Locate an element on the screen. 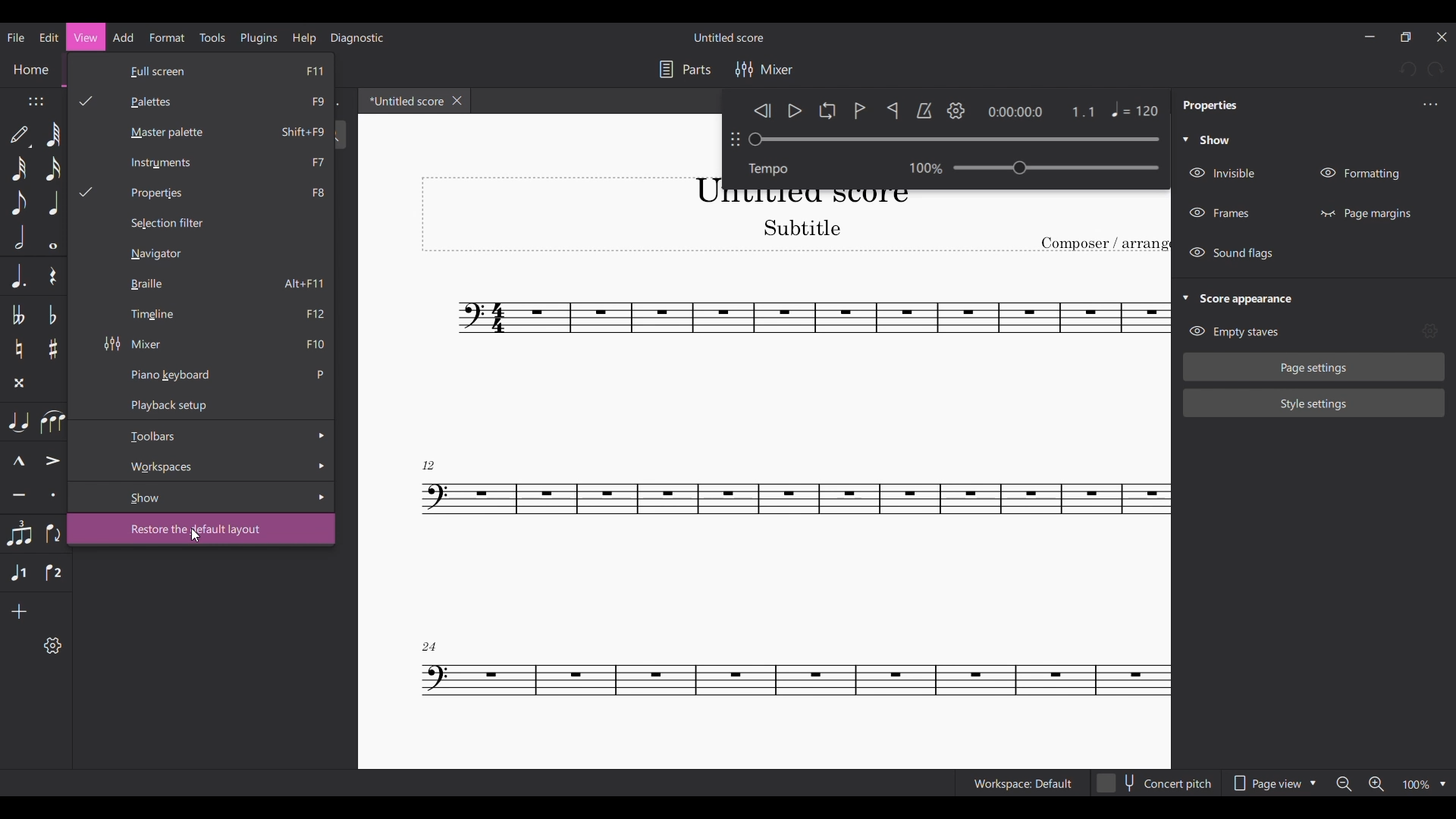 Image resolution: width=1456 pixels, height=819 pixels. Whole note is located at coordinates (53, 238).